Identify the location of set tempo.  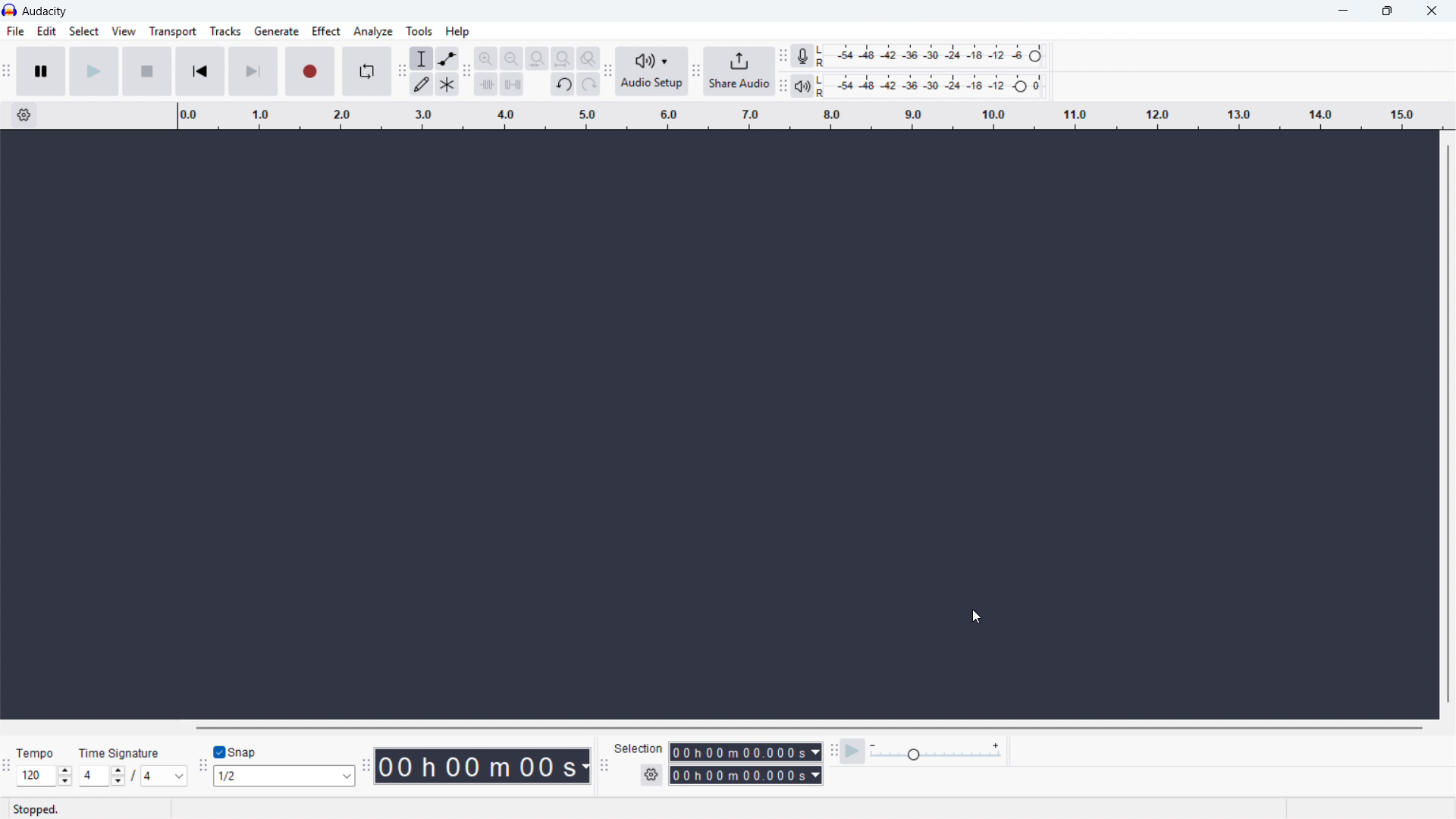
(44, 766).